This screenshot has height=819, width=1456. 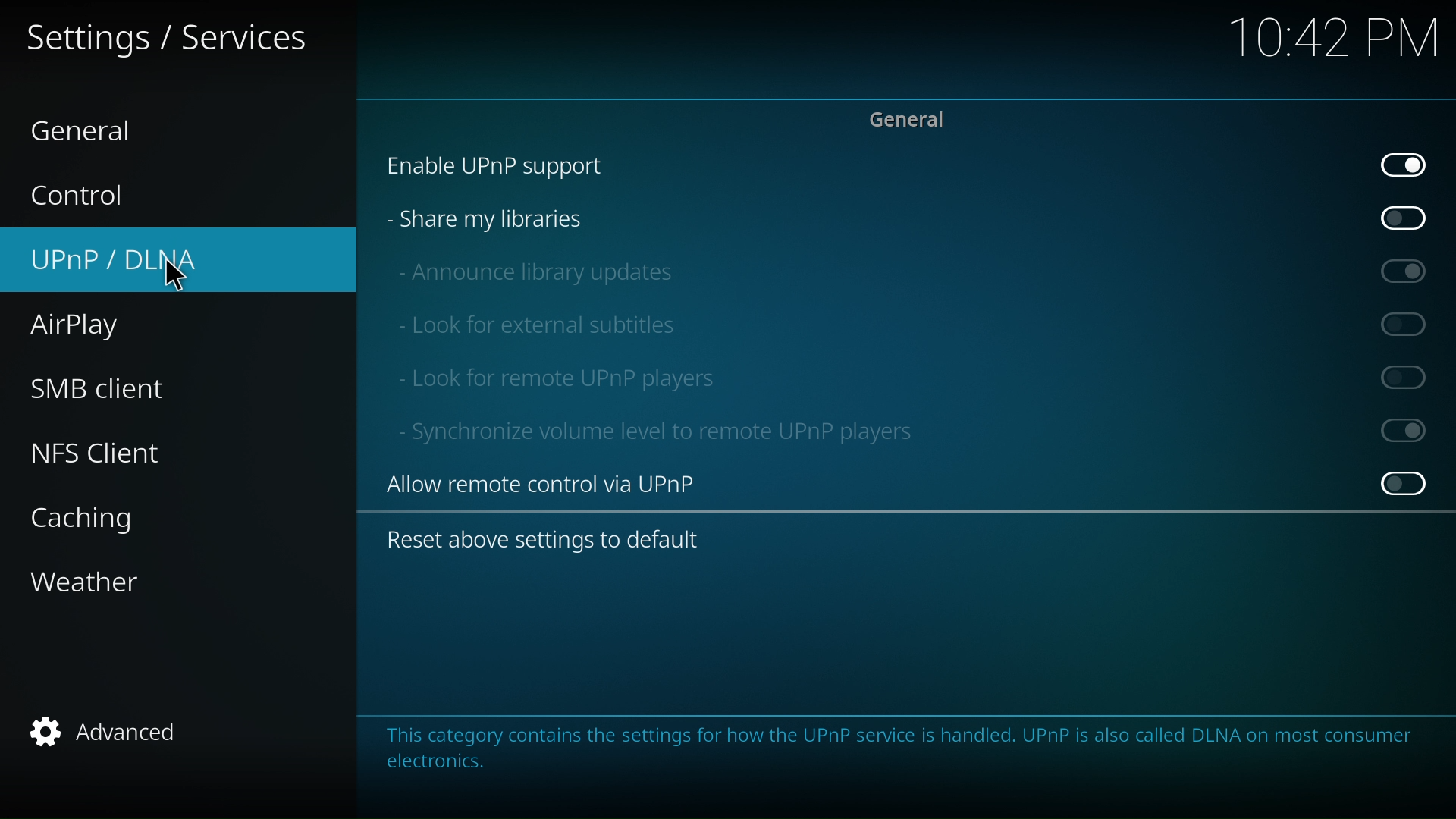 What do you see at coordinates (899, 752) in the screenshot?
I see `This category contains the settings for how the UPnP service is handled. UPnP is also called DLNA on most consumer
electronics.` at bounding box center [899, 752].